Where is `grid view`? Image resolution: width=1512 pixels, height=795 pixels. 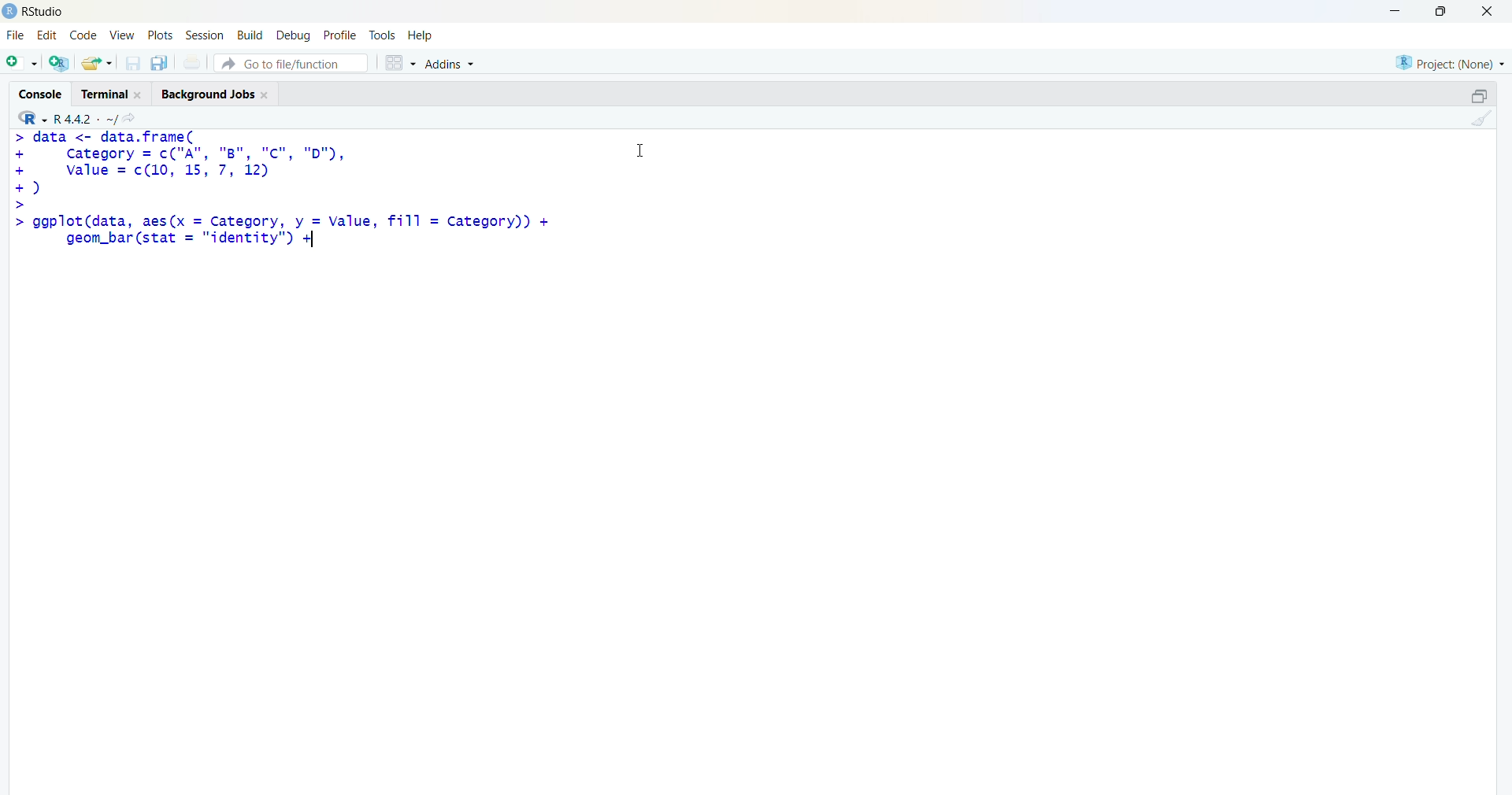
grid view is located at coordinates (399, 62).